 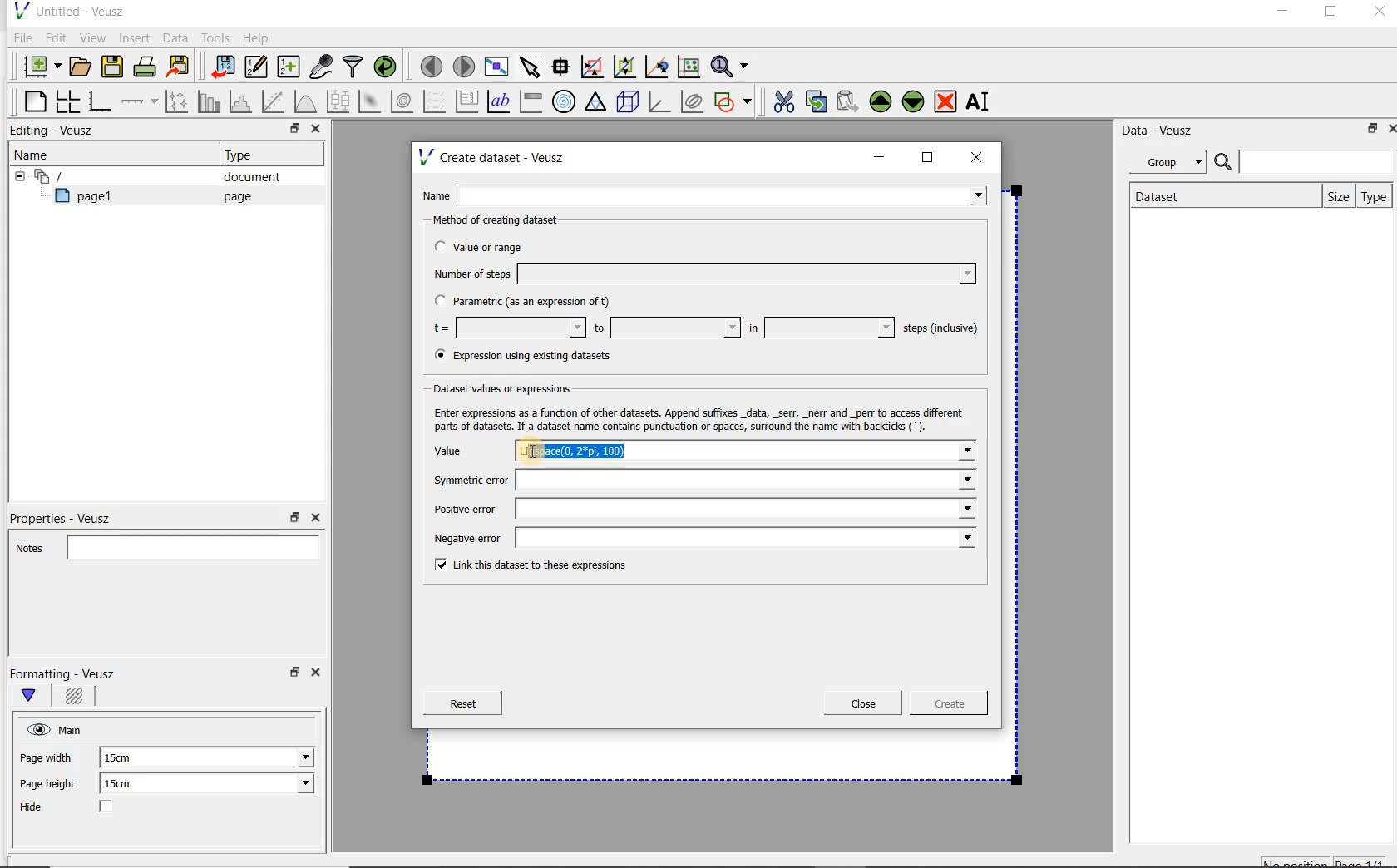 What do you see at coordinates (16, 175) in the screenshot?
I see `hide sub menu` at bounding box center [16, 175].